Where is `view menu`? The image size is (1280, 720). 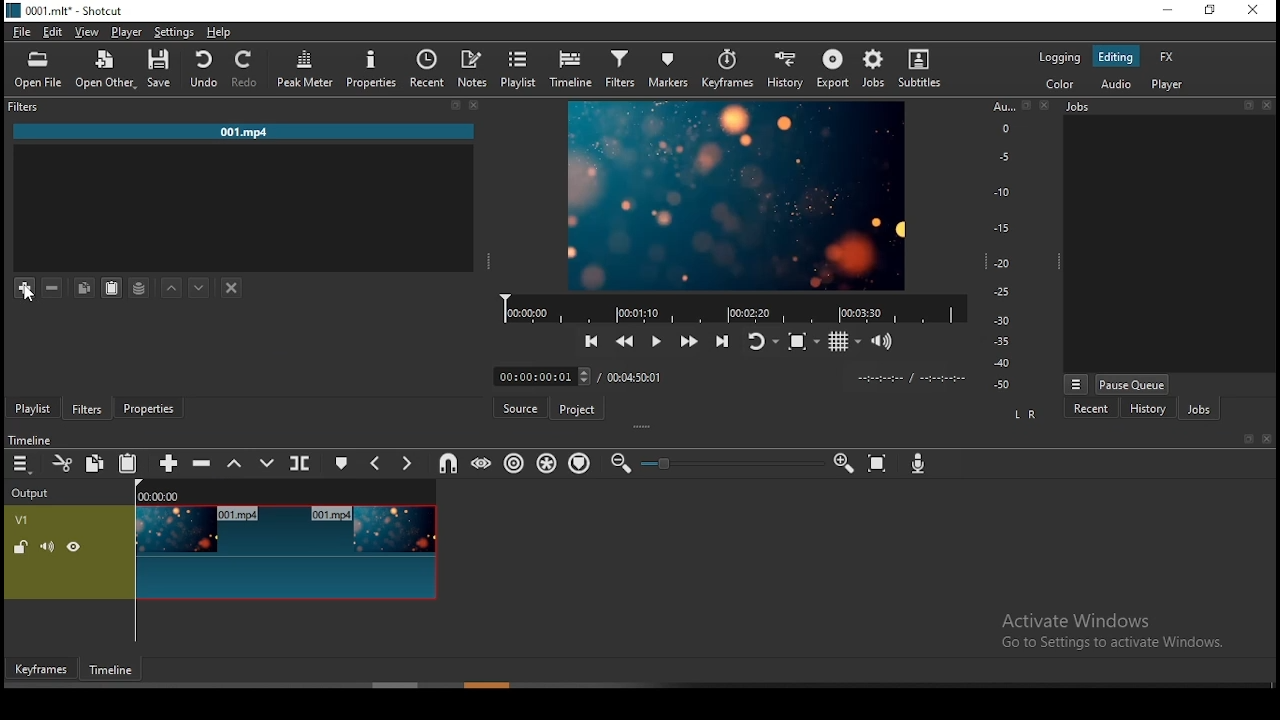
view menu is located at coordinates (1076, 383).